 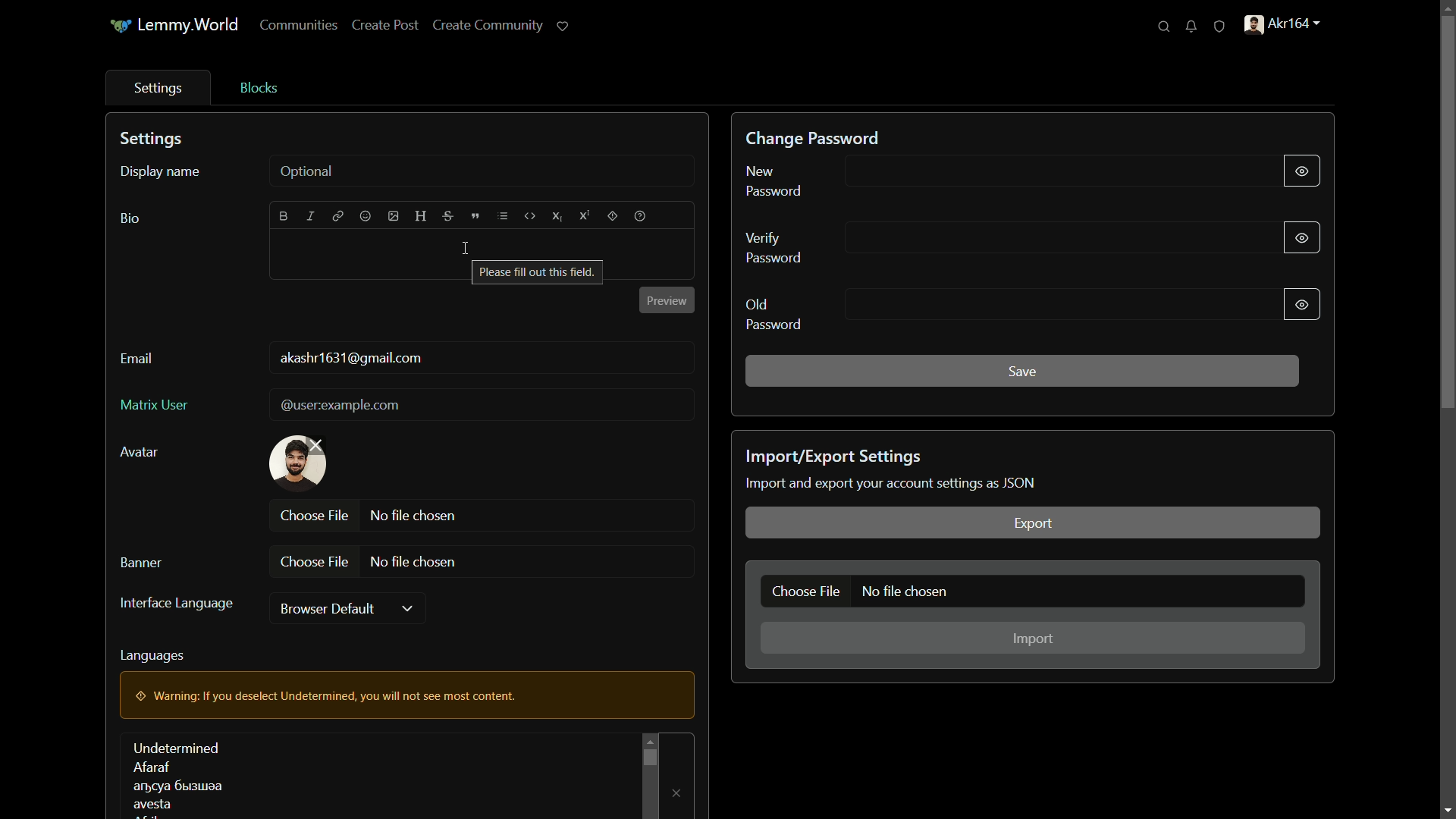 I want to click on text, so click(x=896, y=482).